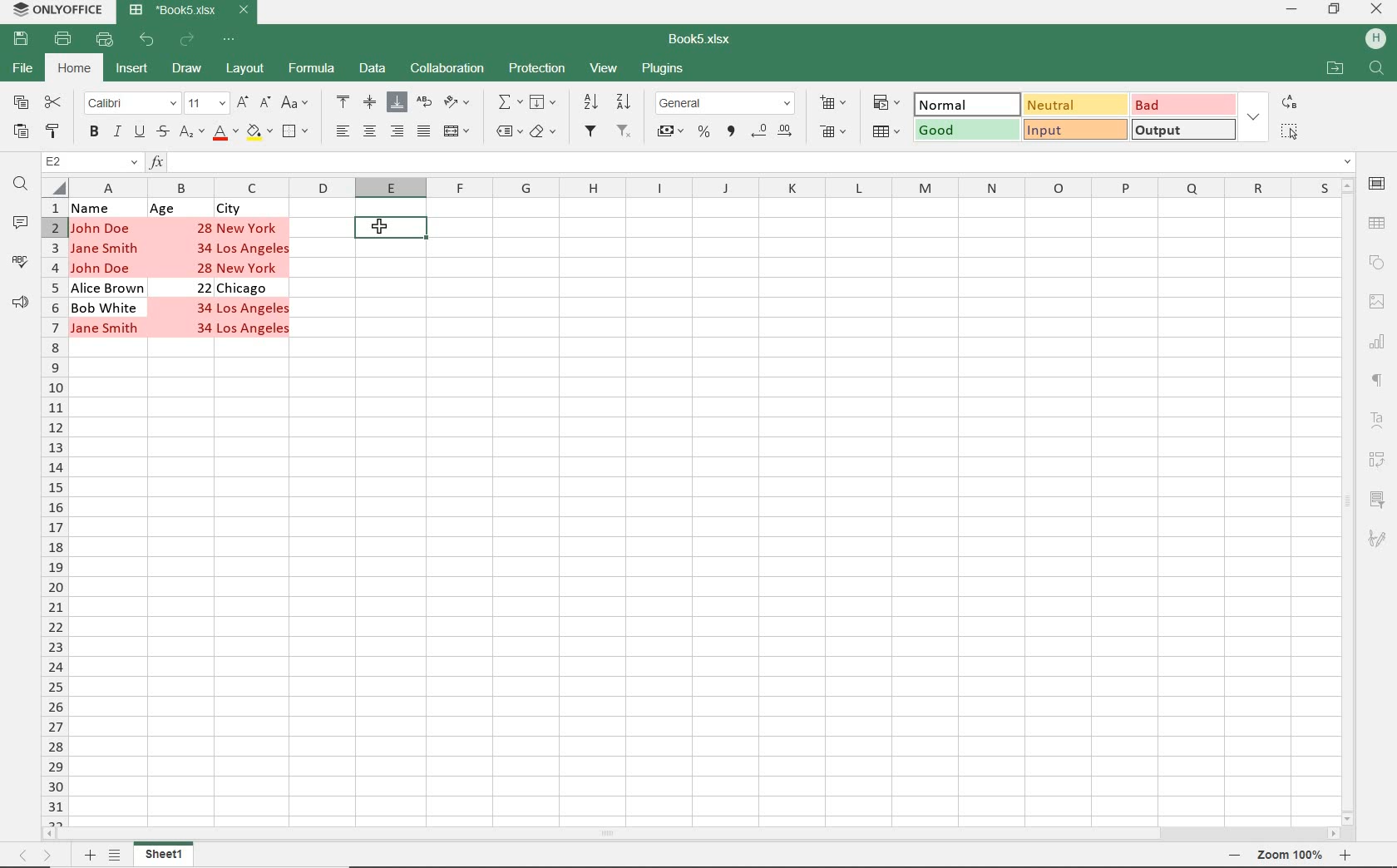 This screenshot has height=868, width=1397. I want to click on FONT SIZE, so click(206, 104).